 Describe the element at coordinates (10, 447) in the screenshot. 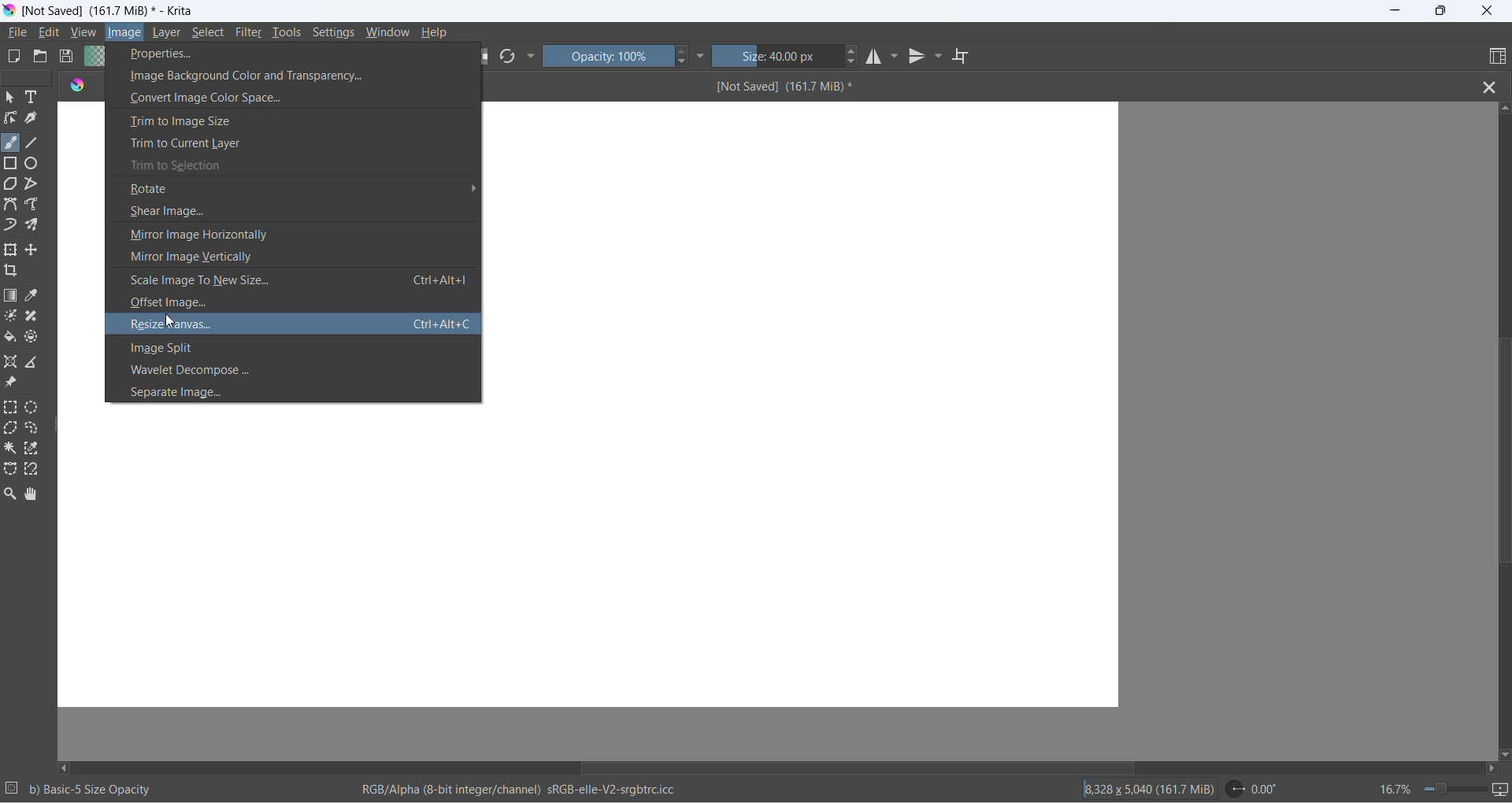

I see `contiguous selection tool` at that location.